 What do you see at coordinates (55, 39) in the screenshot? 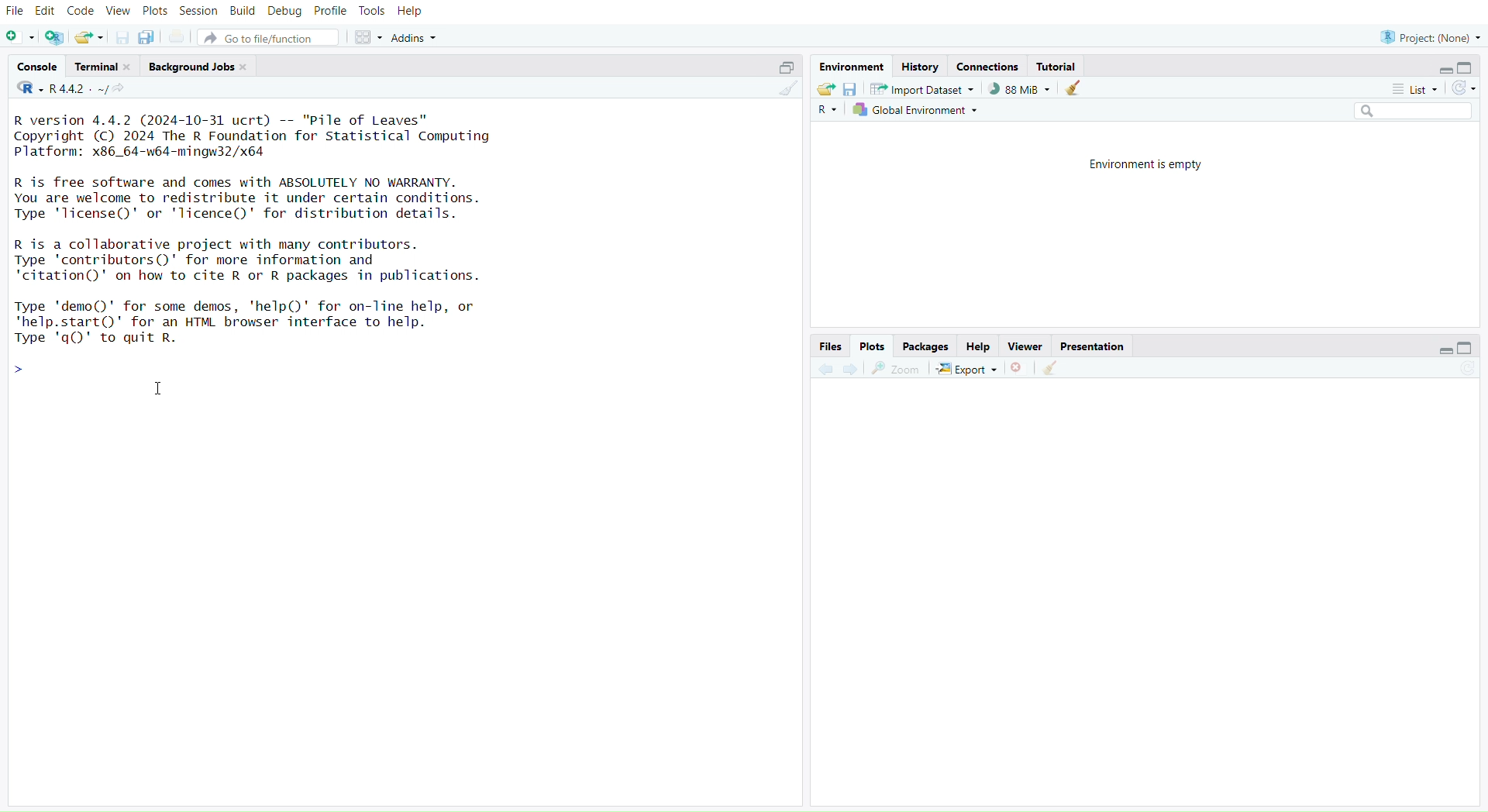
I see `create a project` at bounding box center [55, 39].